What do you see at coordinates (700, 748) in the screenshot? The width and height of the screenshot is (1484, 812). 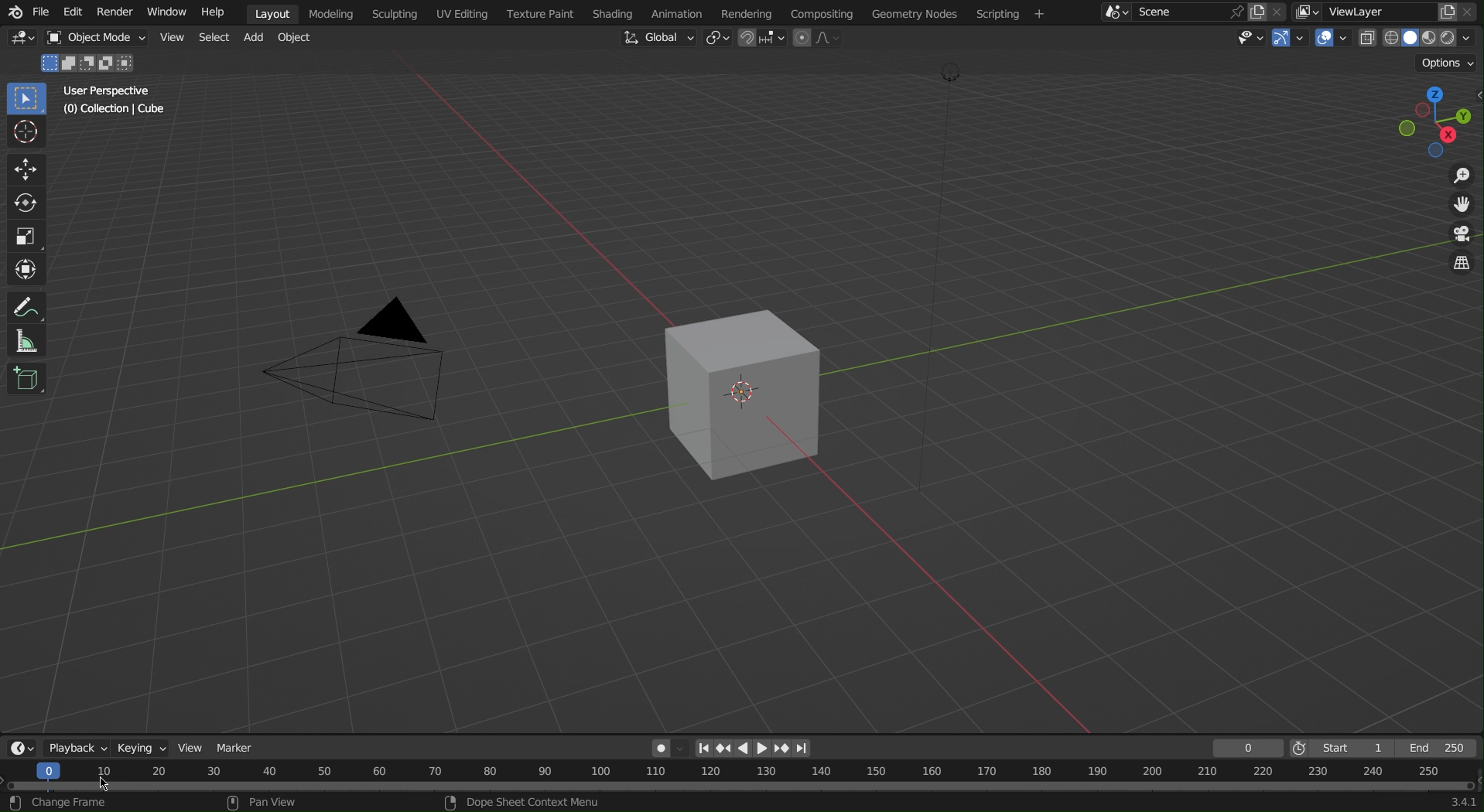 I see `First page` at bounding box center [700, 748].